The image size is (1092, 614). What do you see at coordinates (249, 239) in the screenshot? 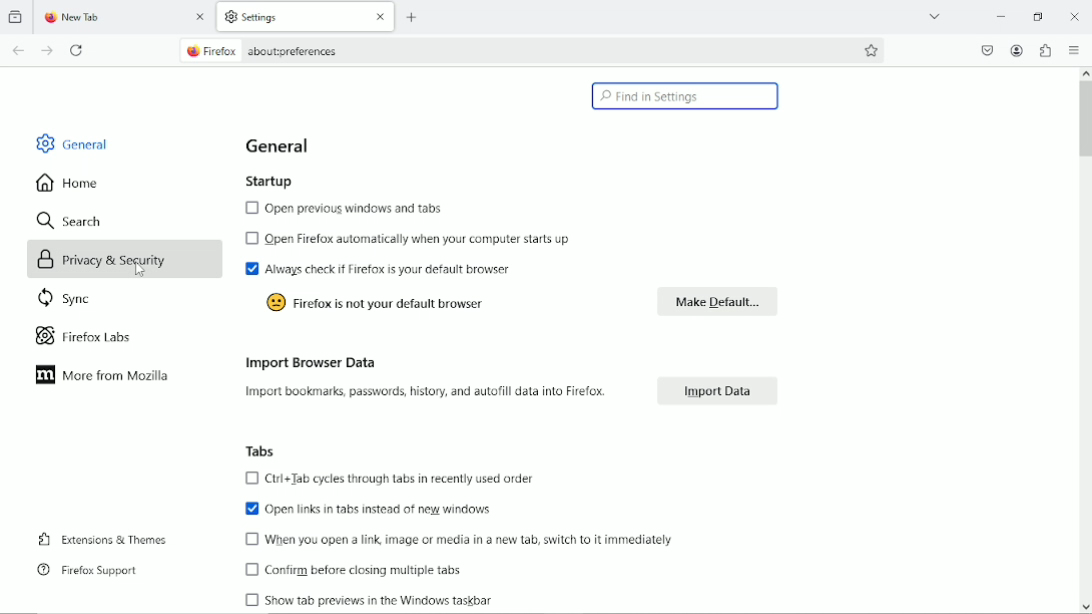
I see `checkbox` at bounding box center [249, 239].